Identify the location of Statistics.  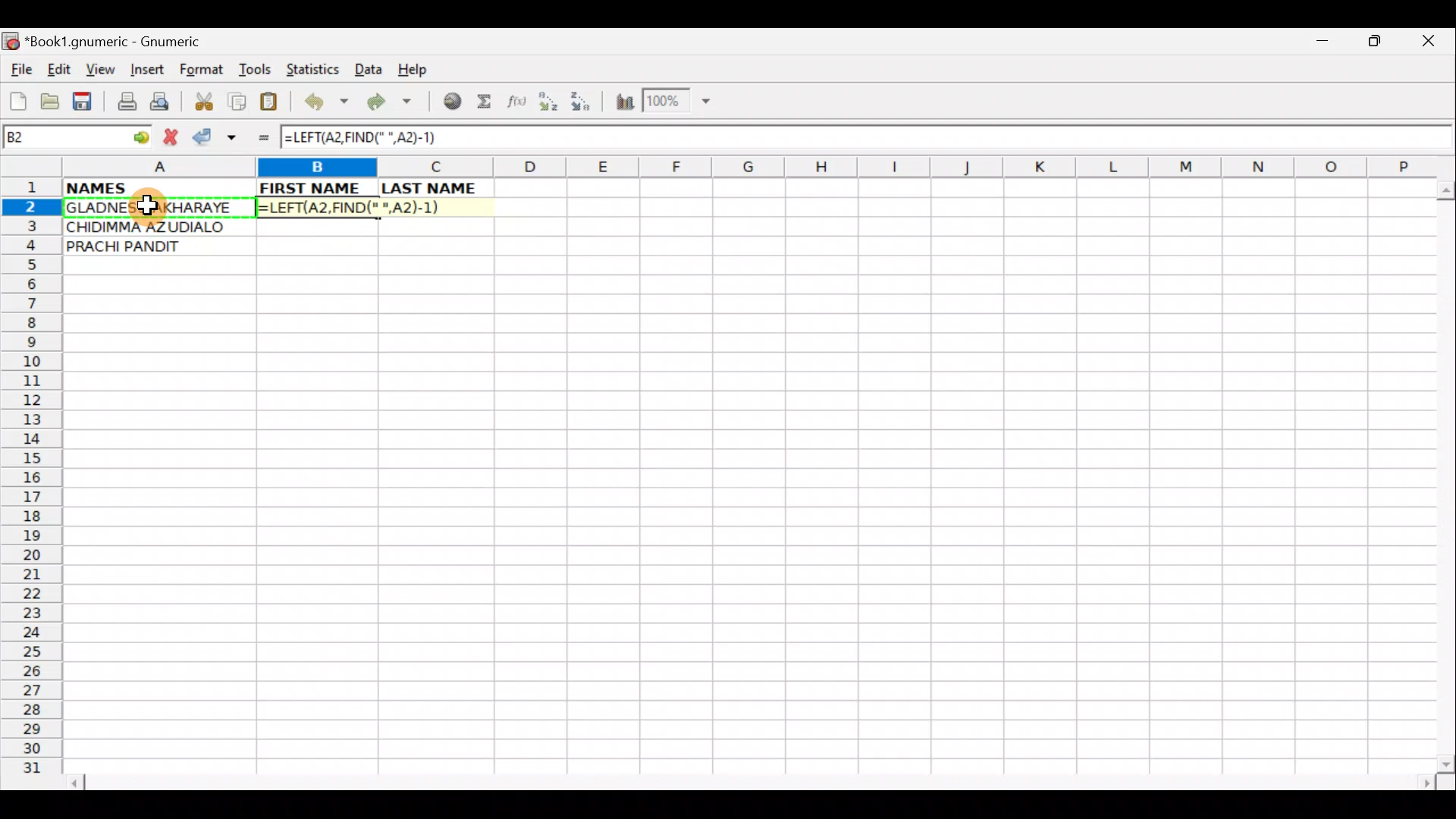
(317, 68).